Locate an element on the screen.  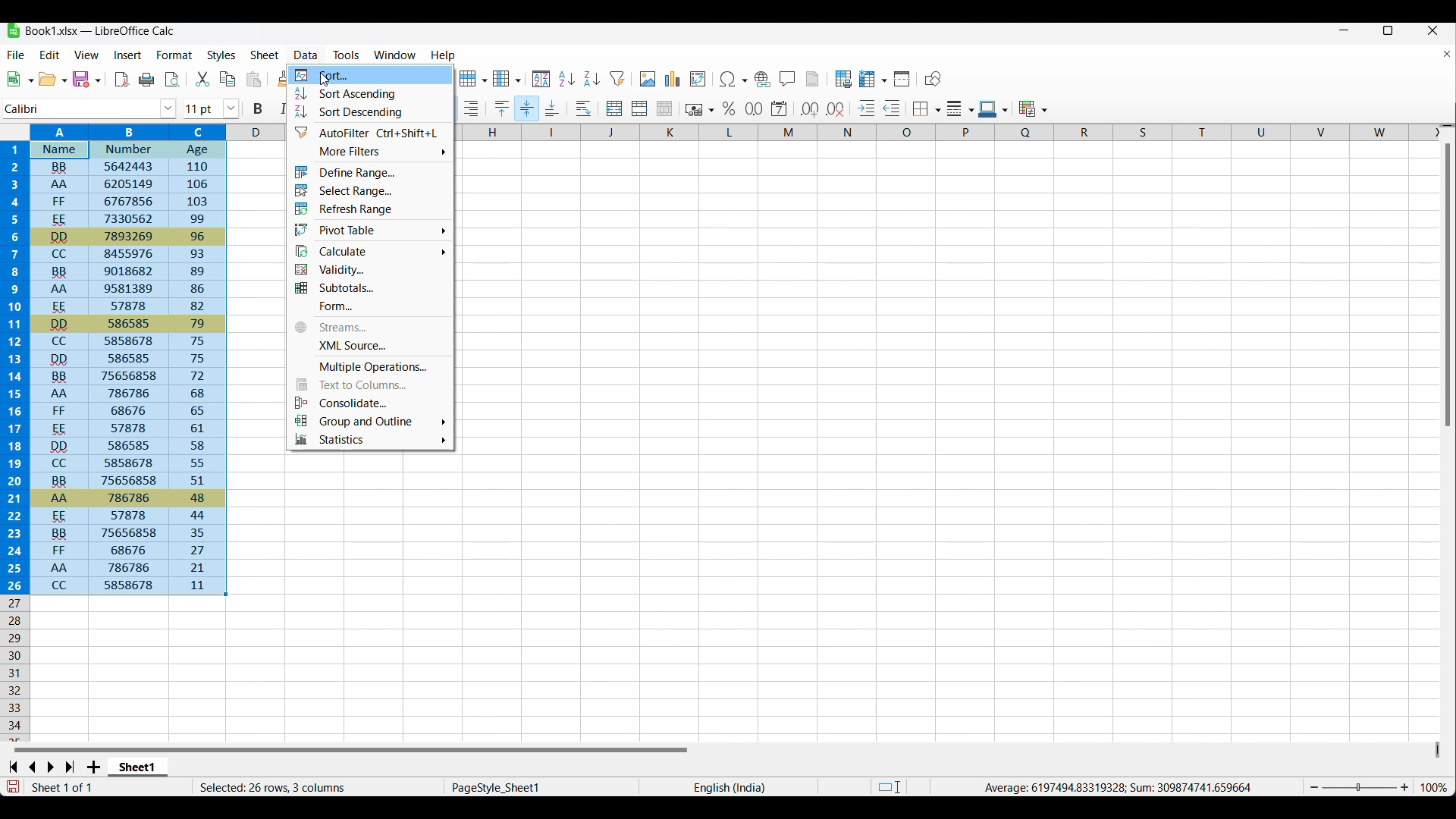
Copy is located at coordinates (227, 79).